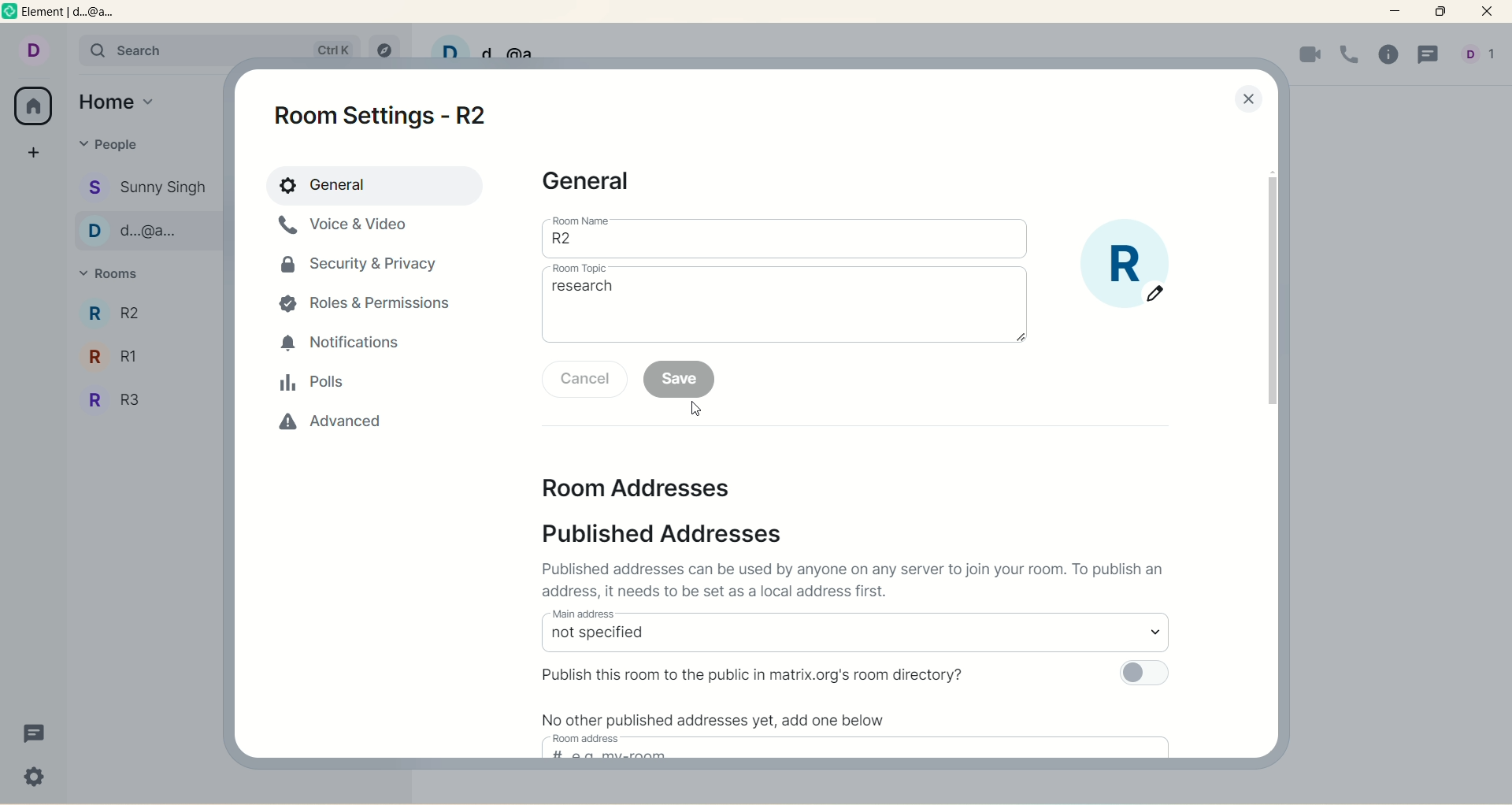 Image resolution: width=1512 pixels, height=805 pixels. I want to click on publish room to public, so click(758, 673).